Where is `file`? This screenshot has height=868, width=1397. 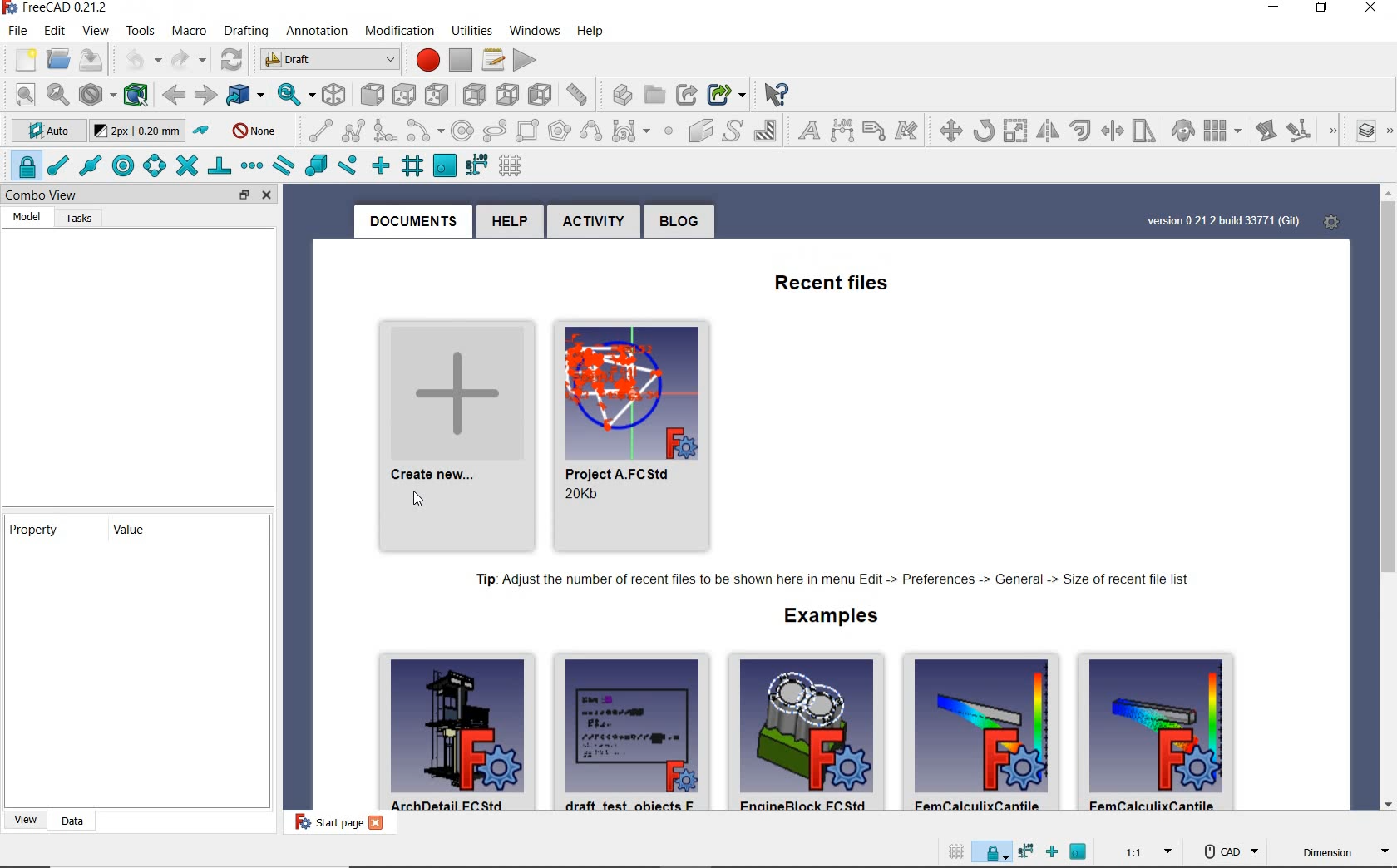
file is located at coordinates (17, 31).